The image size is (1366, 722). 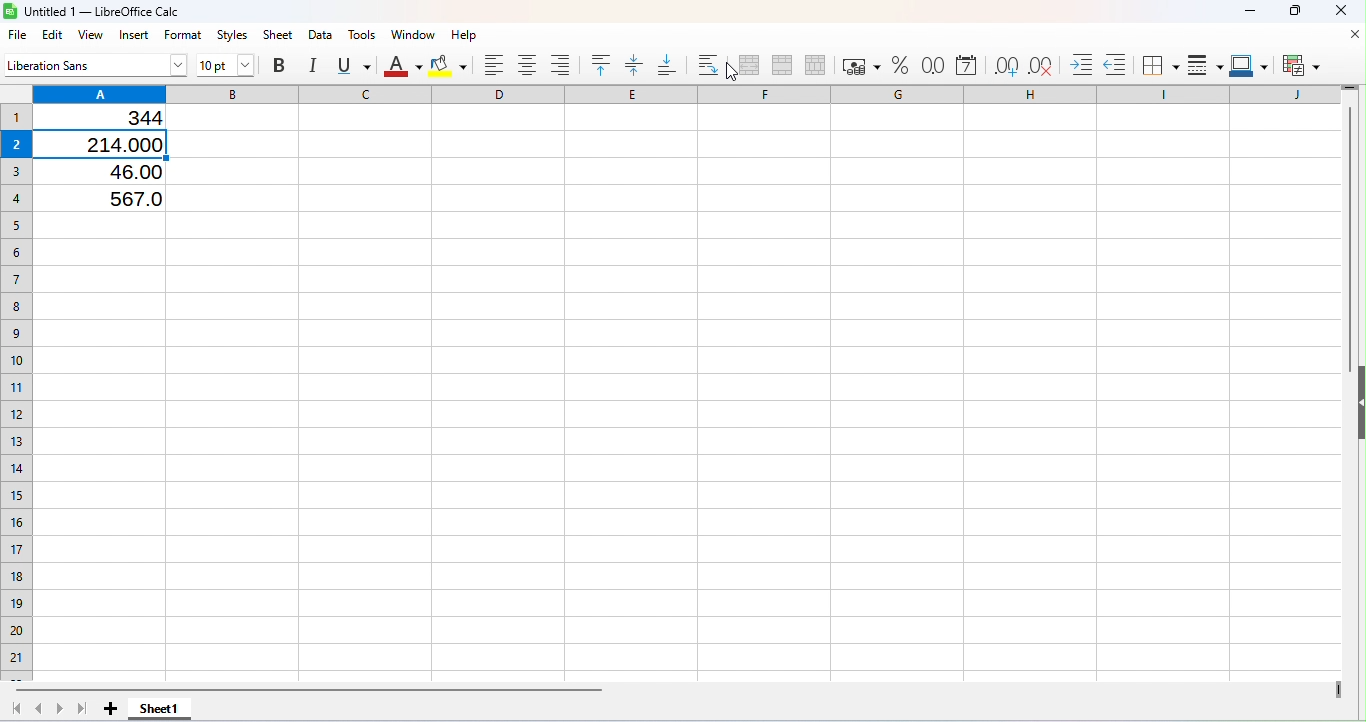 I want to click on Tools, so click(x=360, y=33).